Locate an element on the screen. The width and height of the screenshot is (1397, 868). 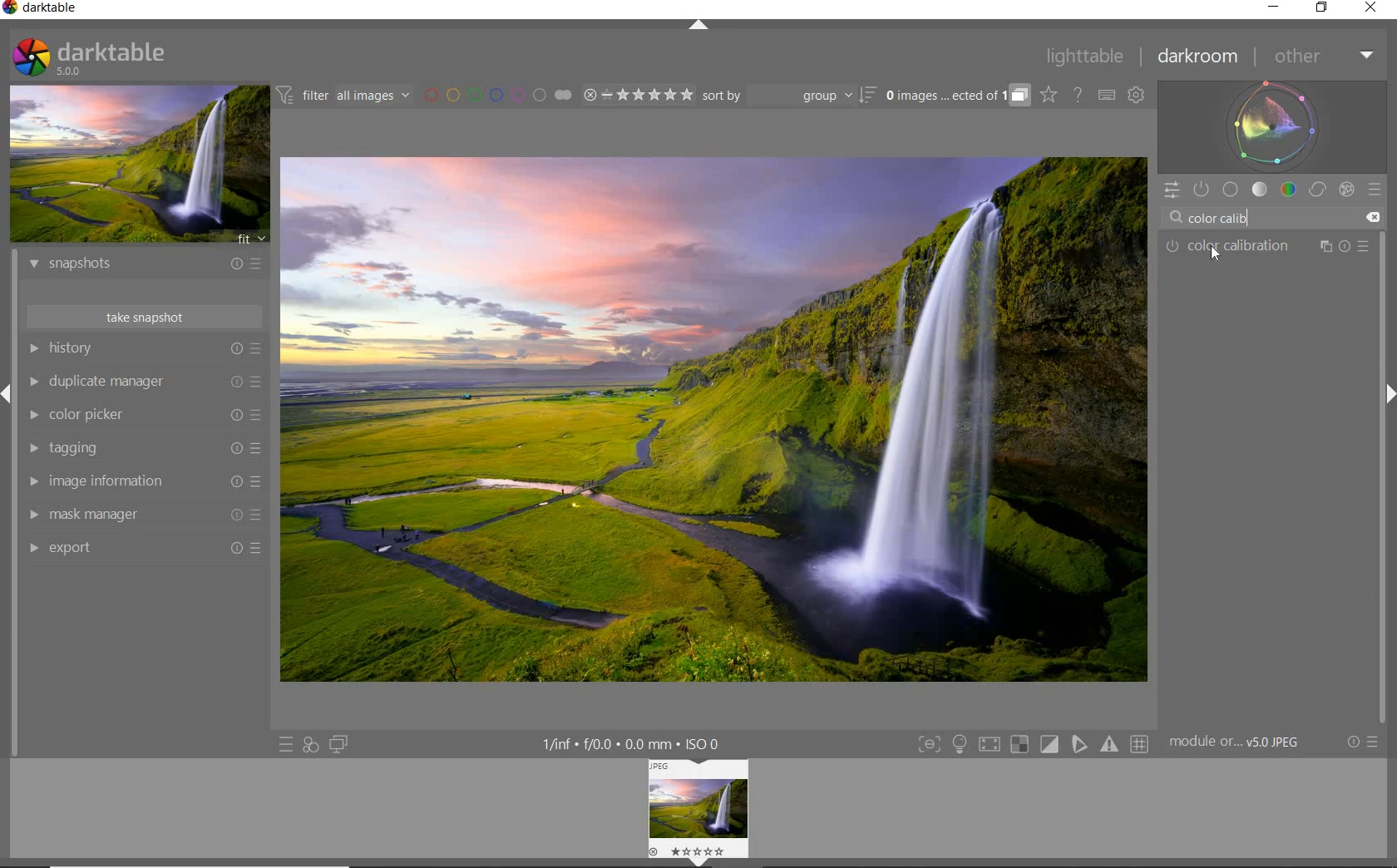
QUICK ACCESS PANEL is located at coordinates (1172, 190).